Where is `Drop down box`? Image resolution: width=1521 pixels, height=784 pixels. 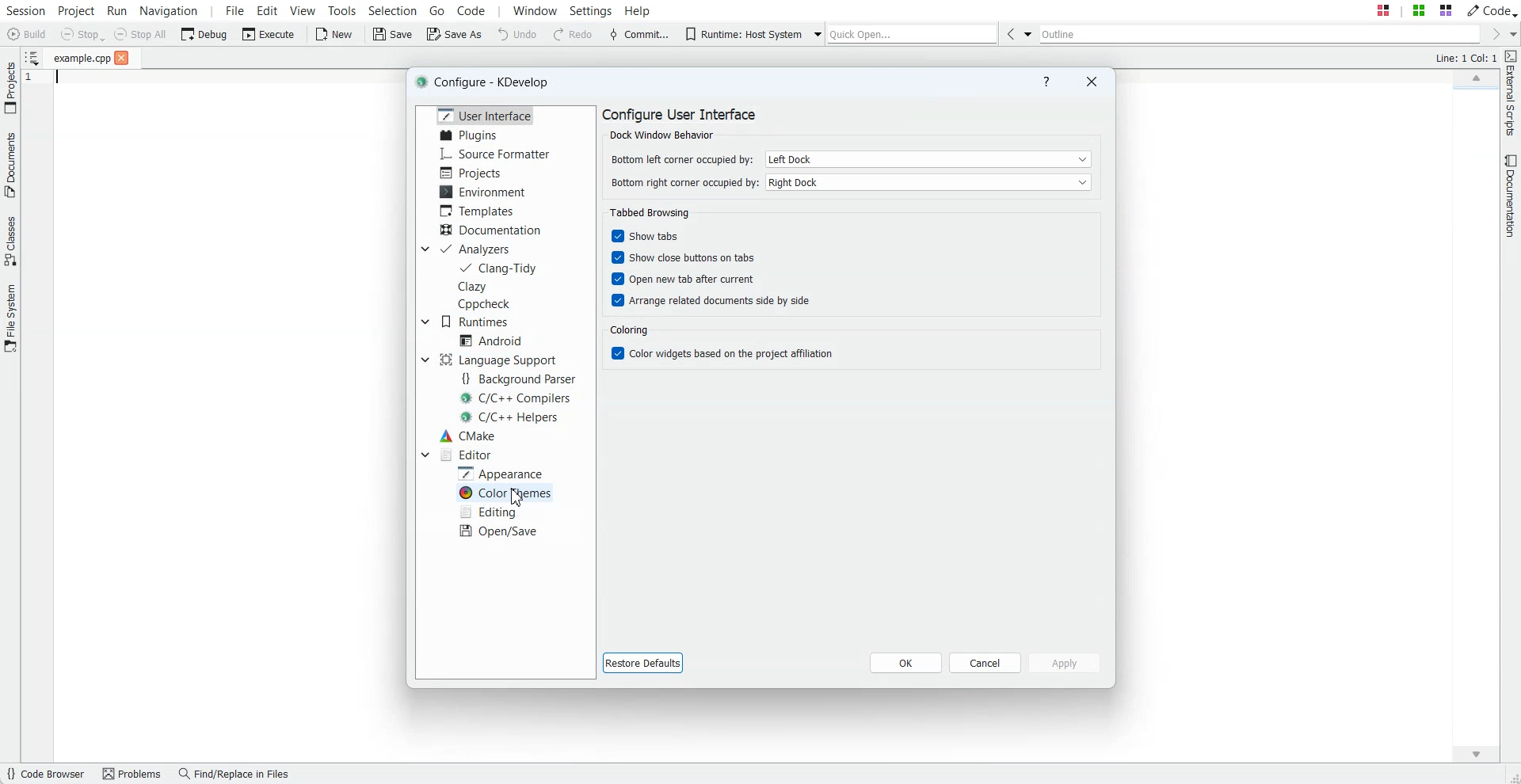
Drop down box is located at coordinates (424, 249).